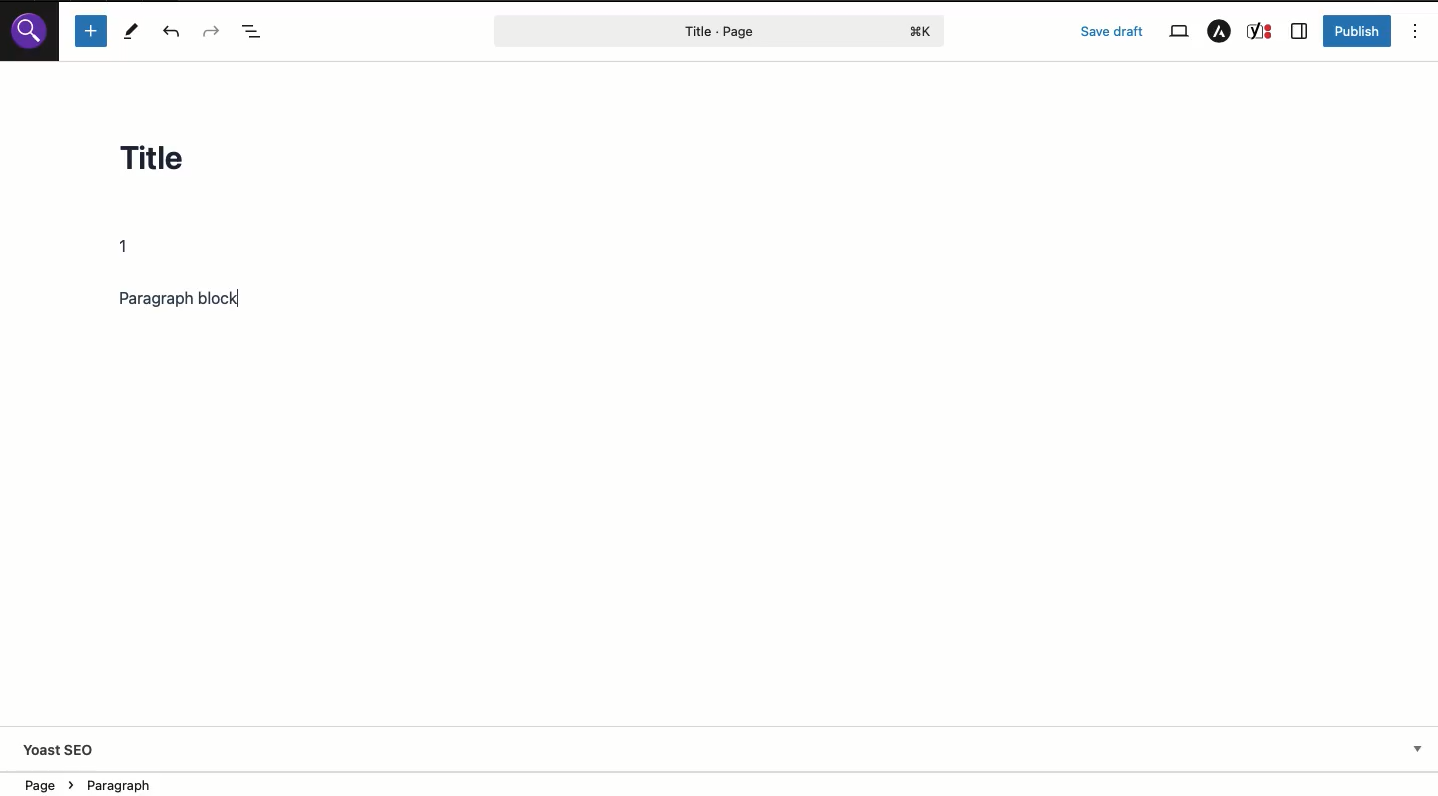 This screenshot has height=796, width=1438. What do you see at coordinates (254, 31) in the screenshot?
I see `Document overview` at bounding box center [254, 31].